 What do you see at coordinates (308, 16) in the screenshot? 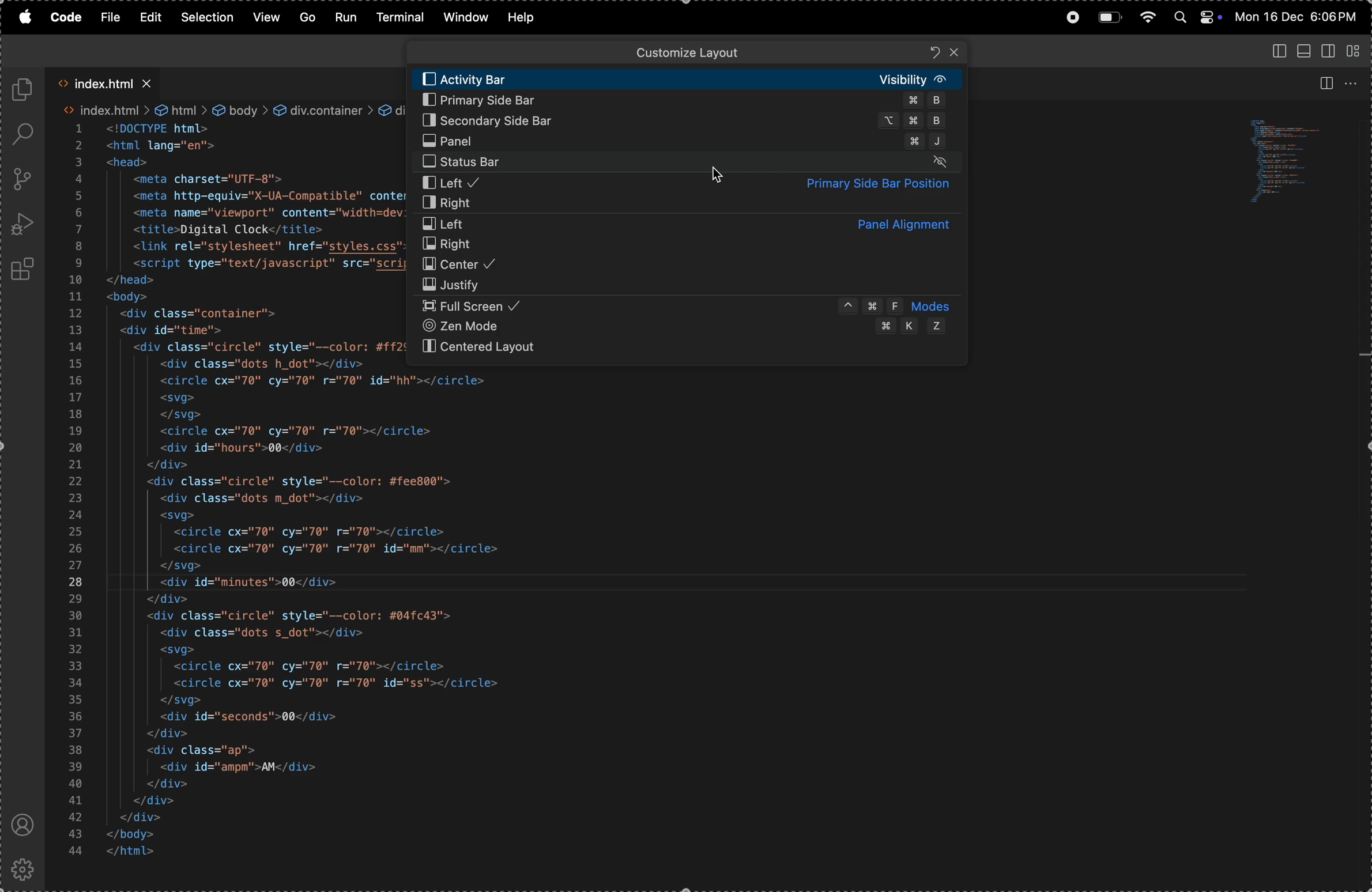
I see `Go` at bounding box center [308, 16].